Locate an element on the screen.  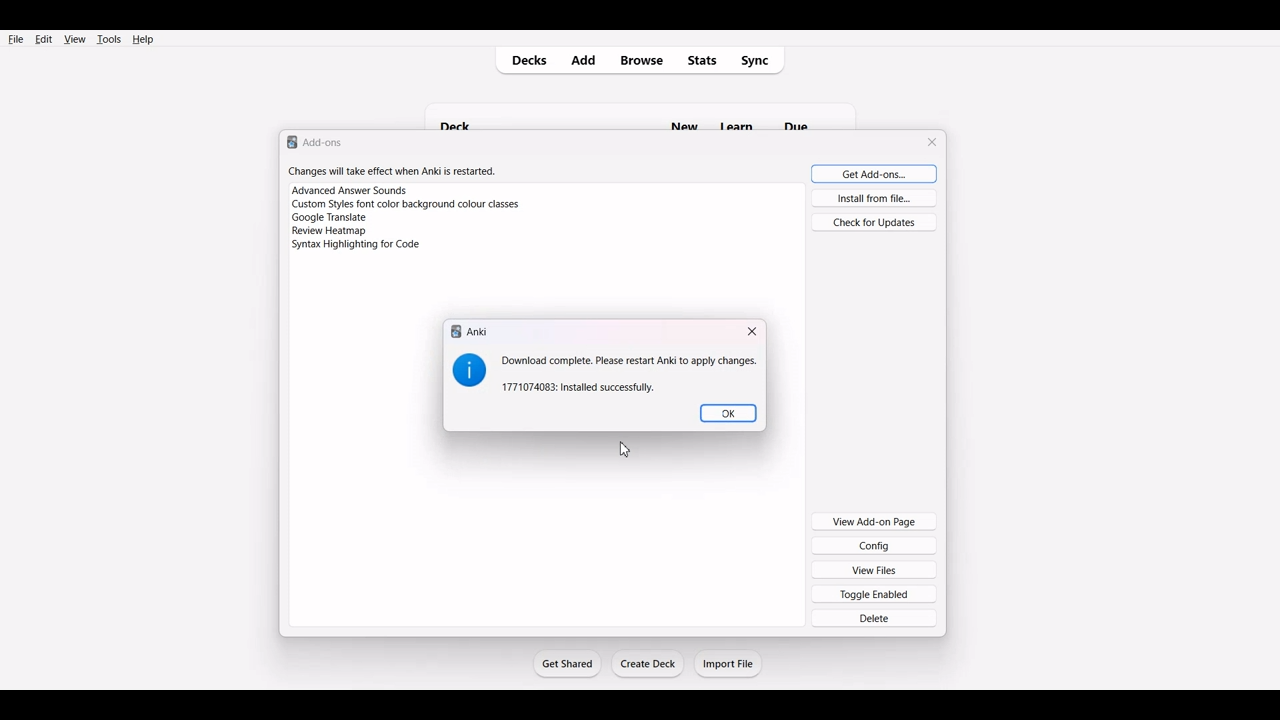
Config is located at coordinates (874, 545).